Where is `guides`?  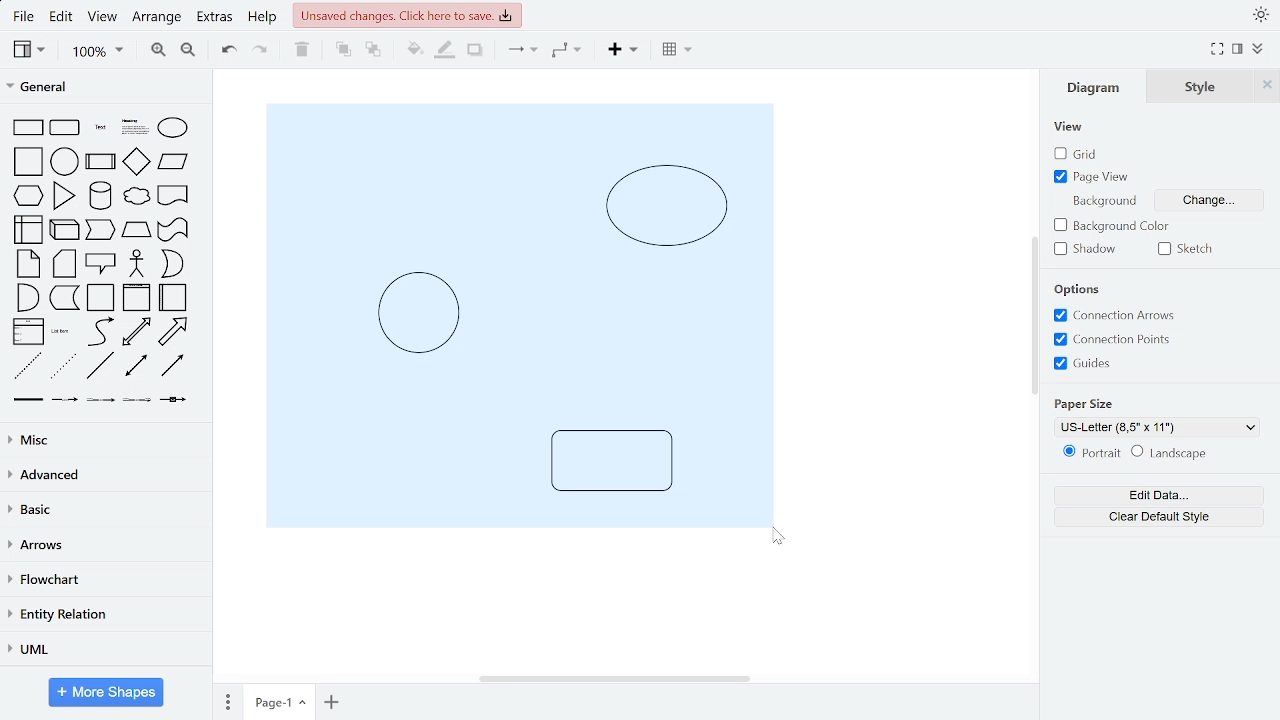
guides is located at coordinates (1114, 340).